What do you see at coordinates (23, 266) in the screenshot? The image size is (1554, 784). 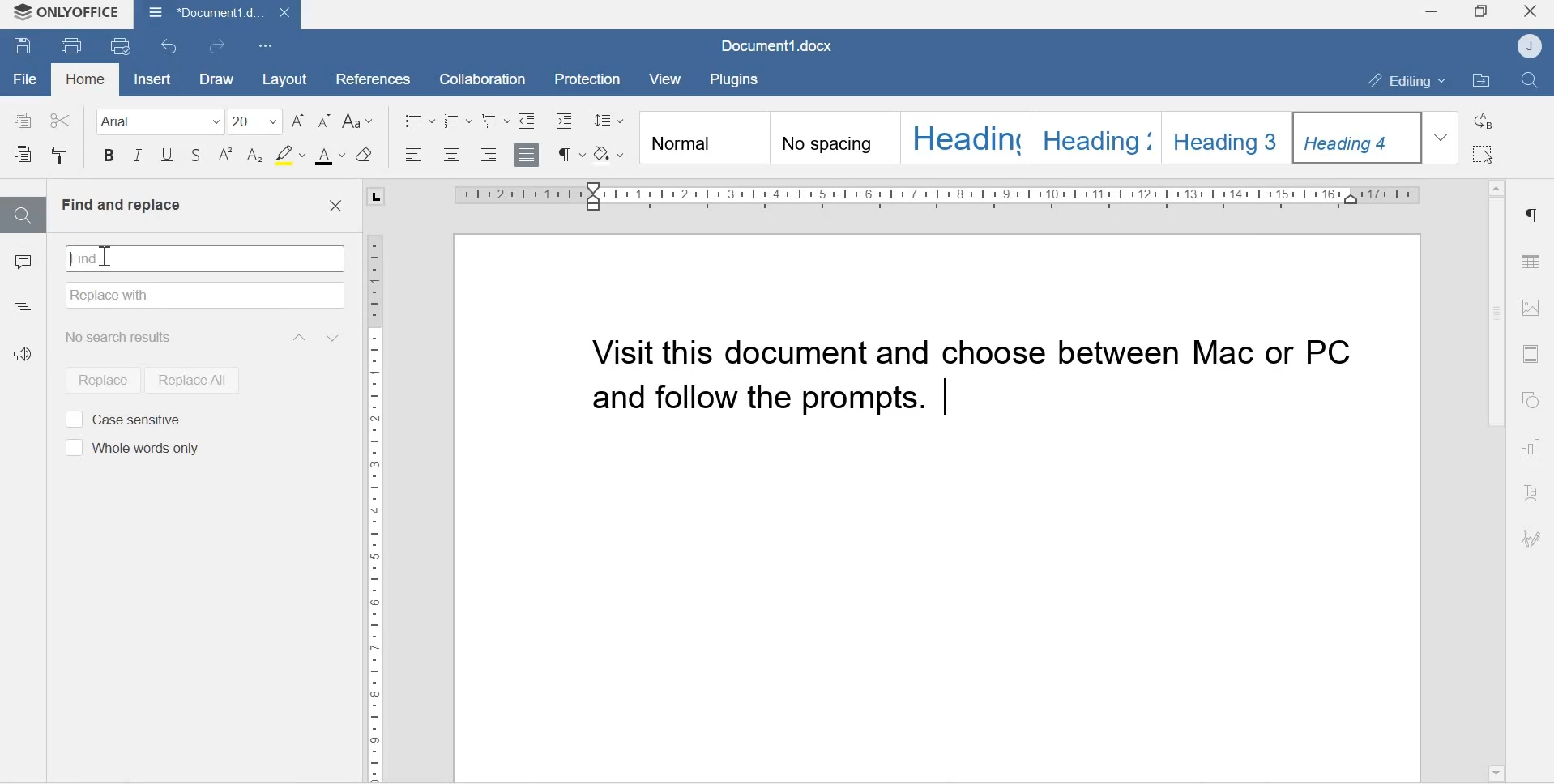 I see `Comments` at bounding box center [23, 266].